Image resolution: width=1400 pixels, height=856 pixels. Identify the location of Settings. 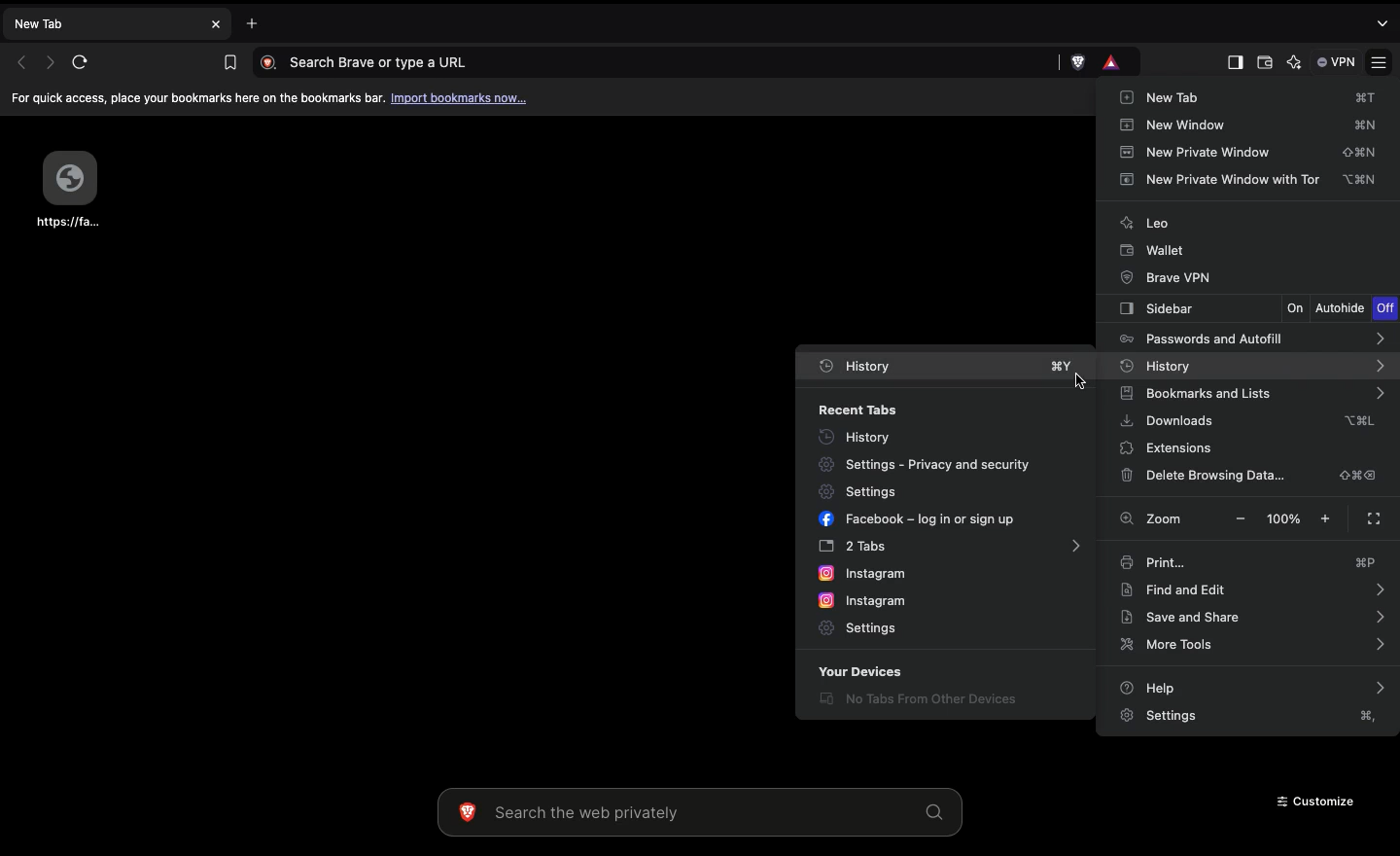
(859, 628).